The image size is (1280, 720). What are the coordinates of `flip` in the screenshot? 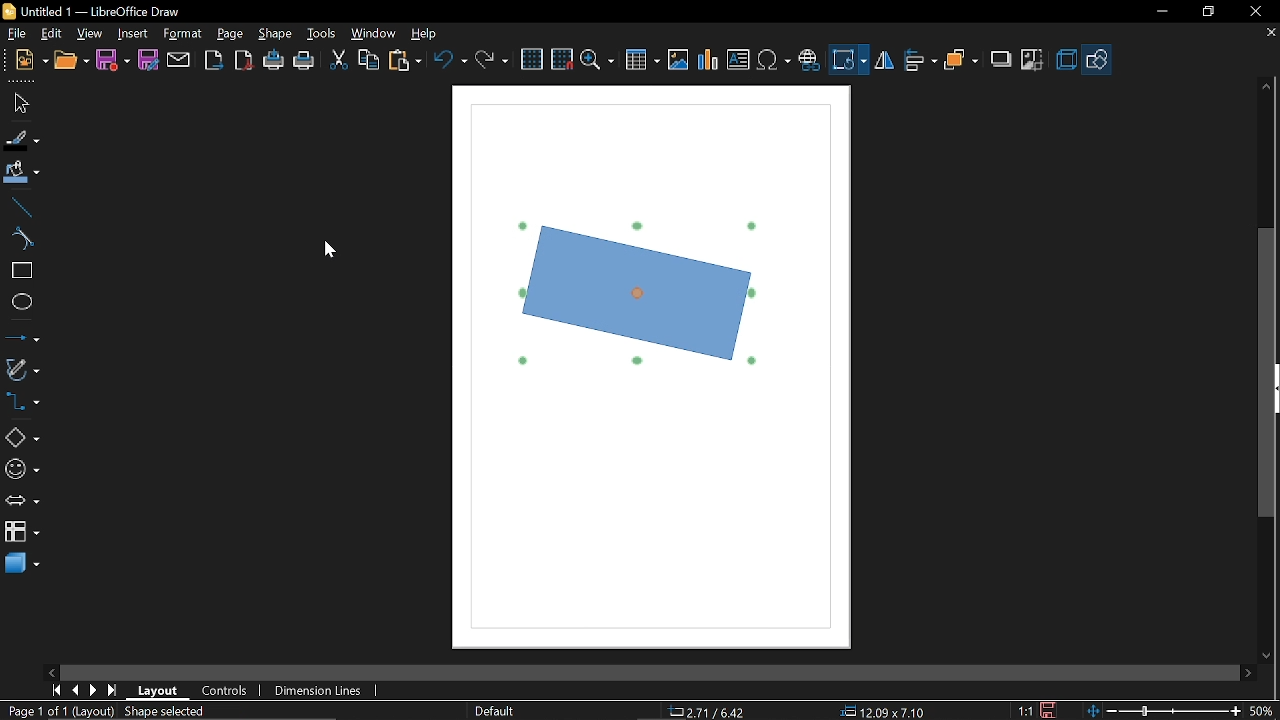 It's located at (884, 62).